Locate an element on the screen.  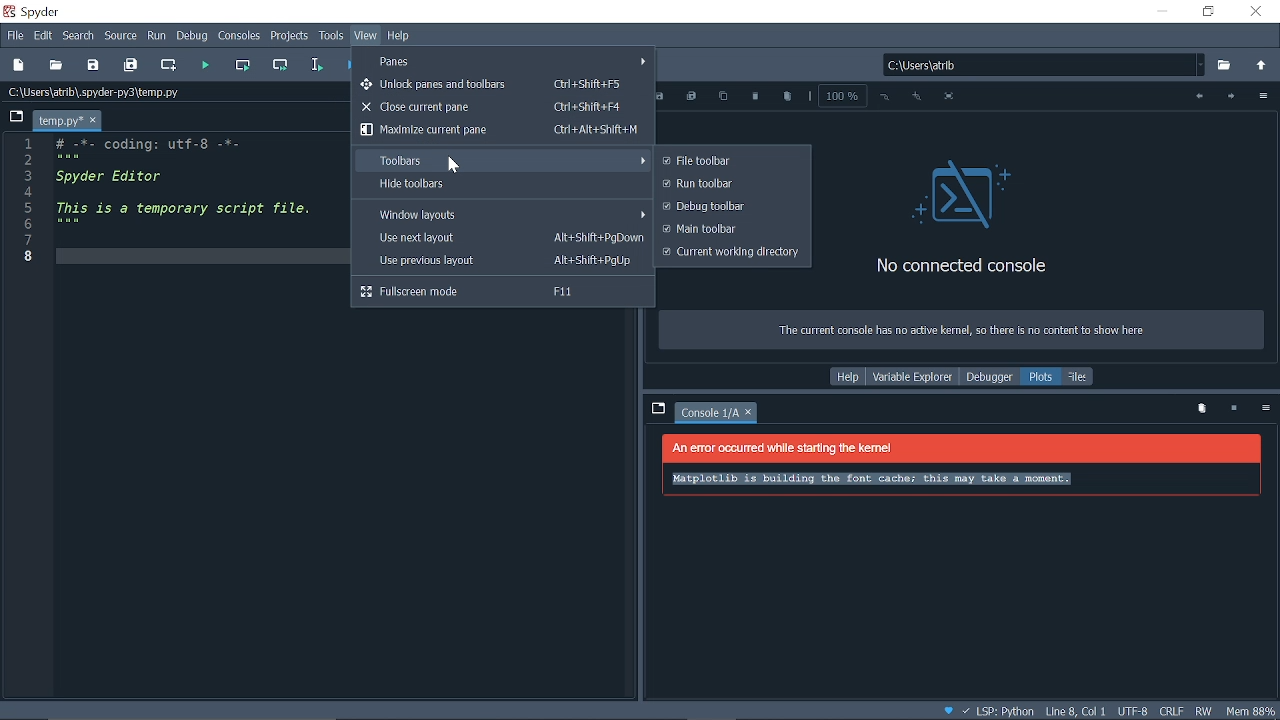
No connected console is located at coordinates (968, 216).